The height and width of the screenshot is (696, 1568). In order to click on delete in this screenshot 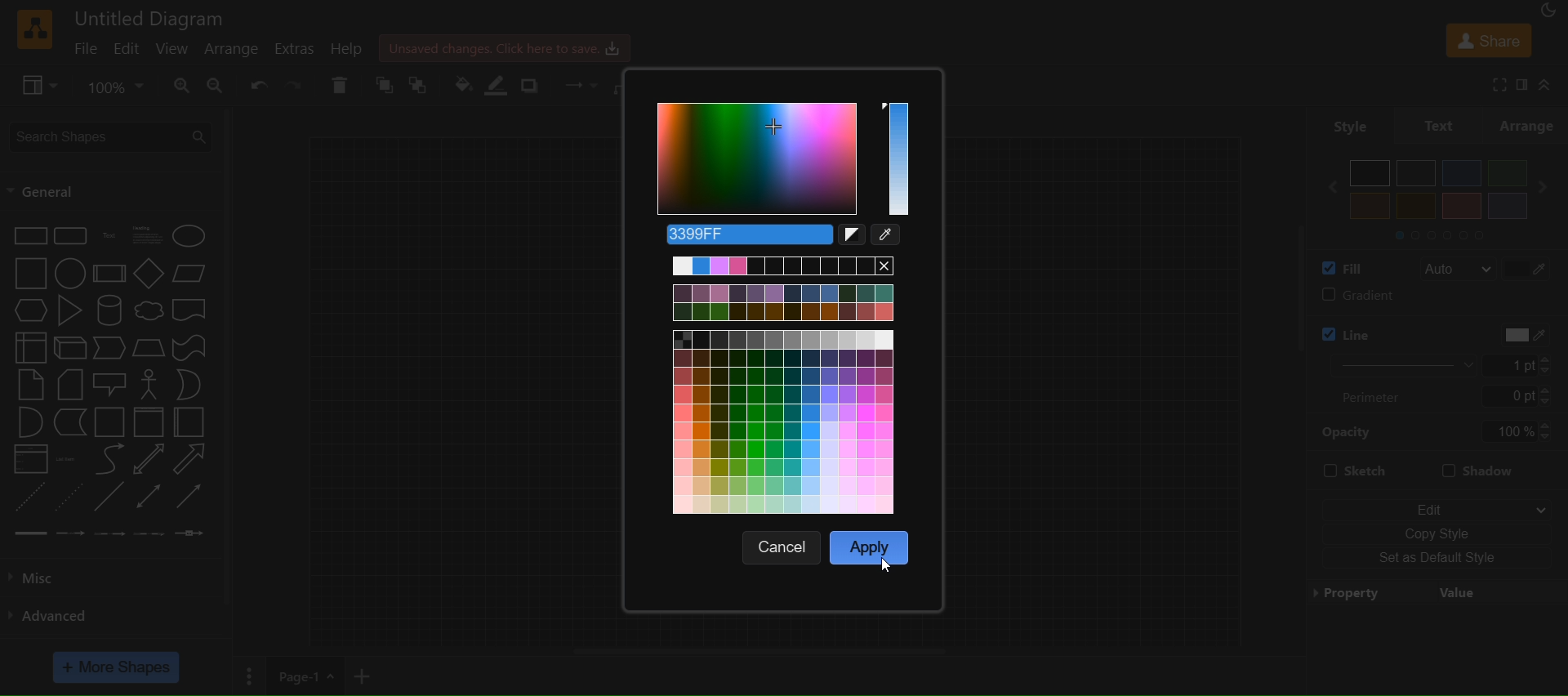, I will do `click(340, 85)`.